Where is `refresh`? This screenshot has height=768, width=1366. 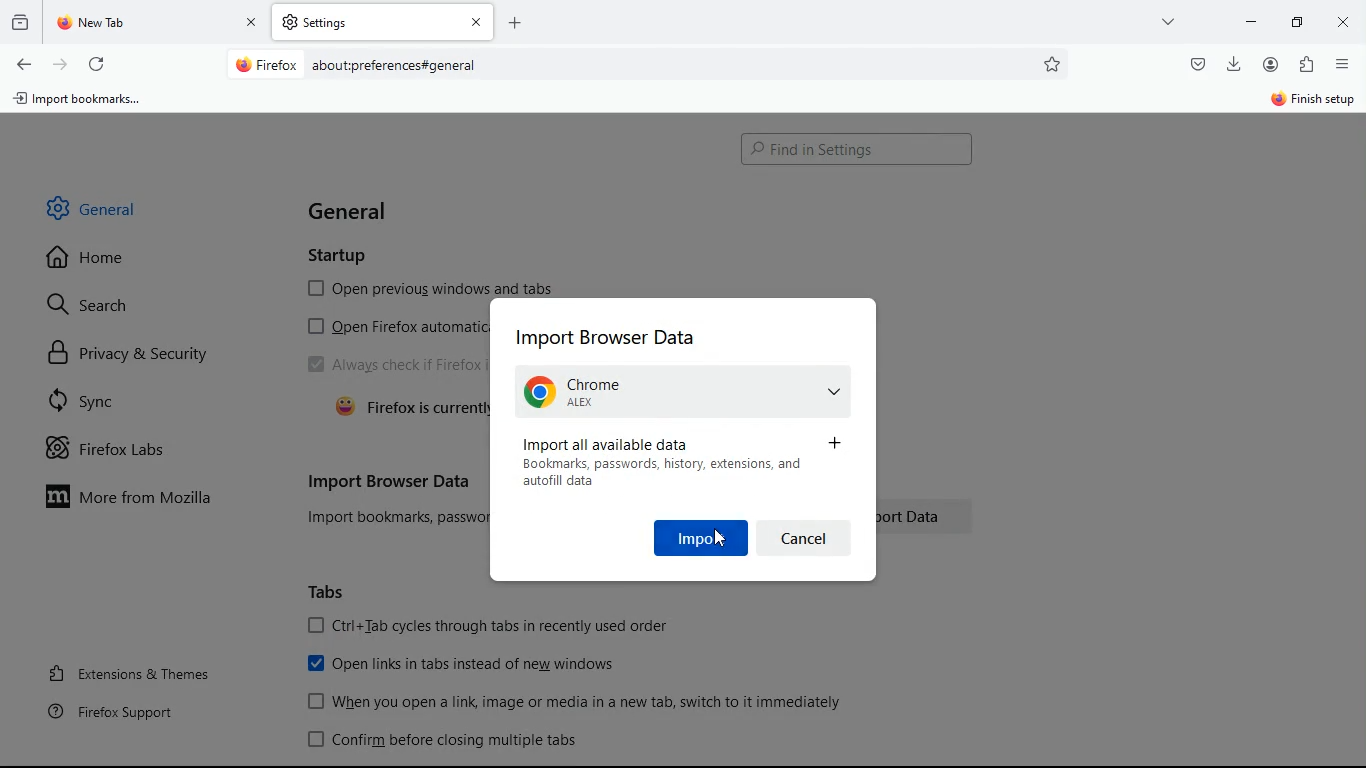 refresh is located at coordinates (99, 66).